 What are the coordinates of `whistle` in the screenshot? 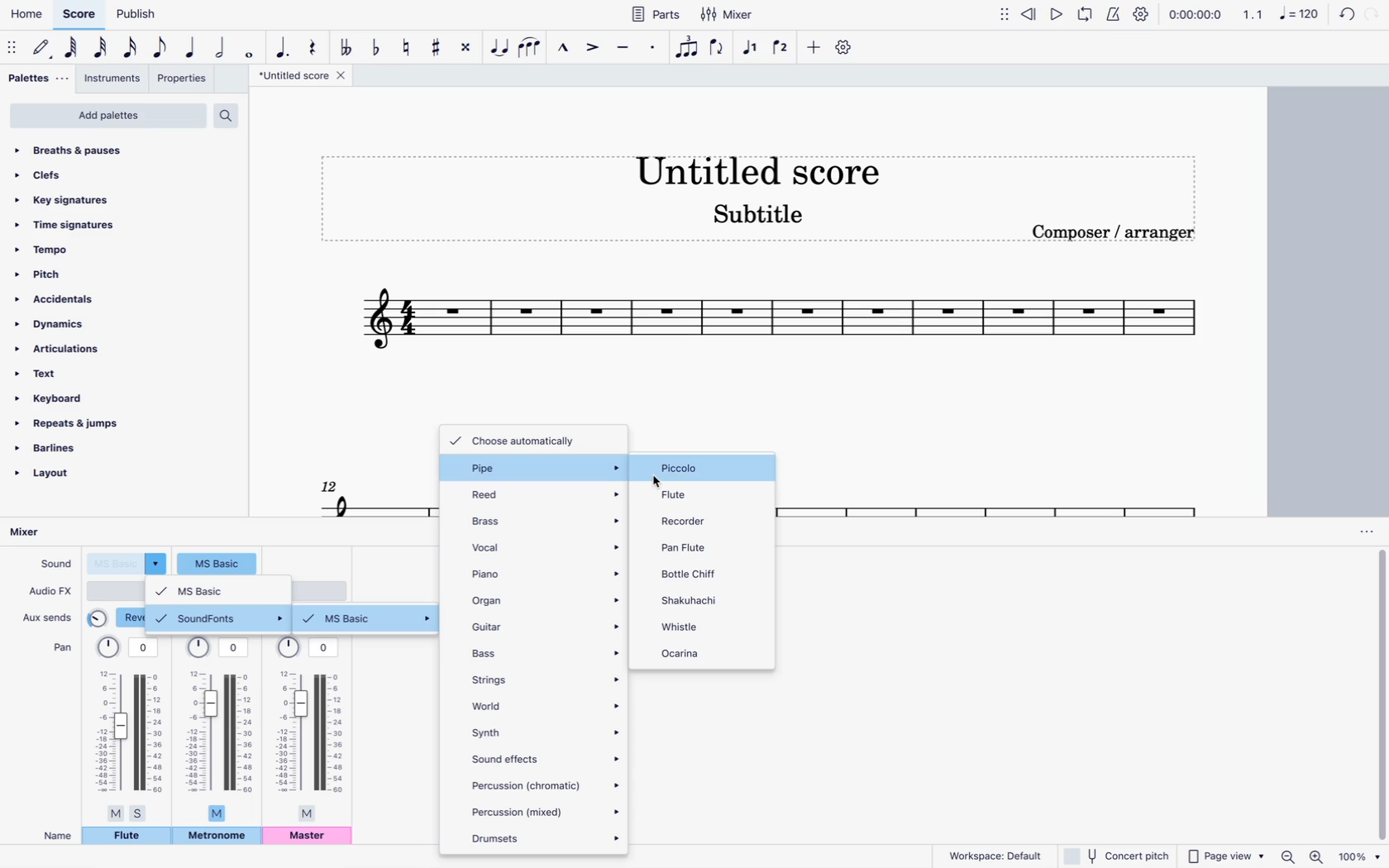 It's located at (690, 628).